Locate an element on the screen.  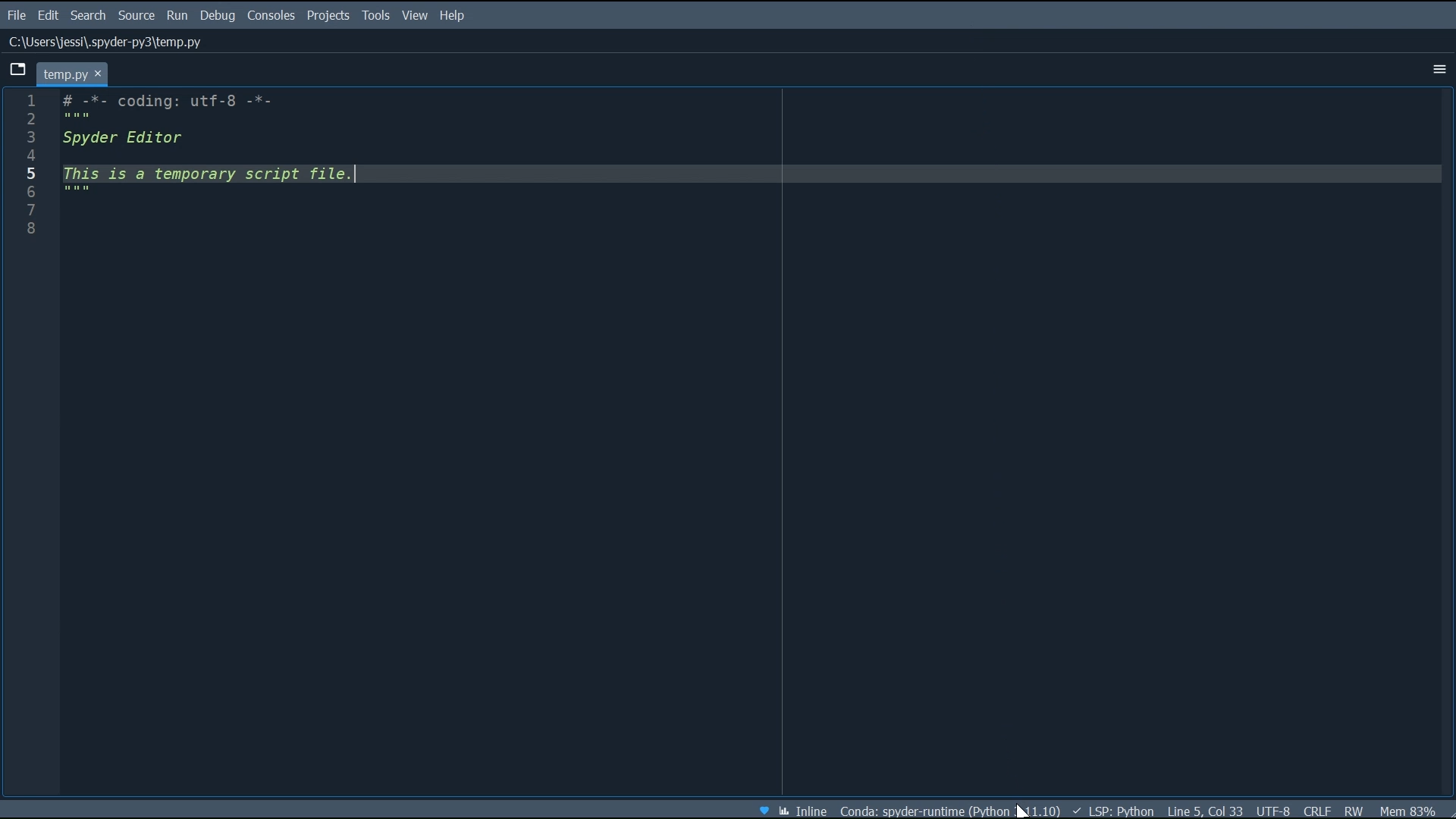
Line column is located at coordinates (28, 444).